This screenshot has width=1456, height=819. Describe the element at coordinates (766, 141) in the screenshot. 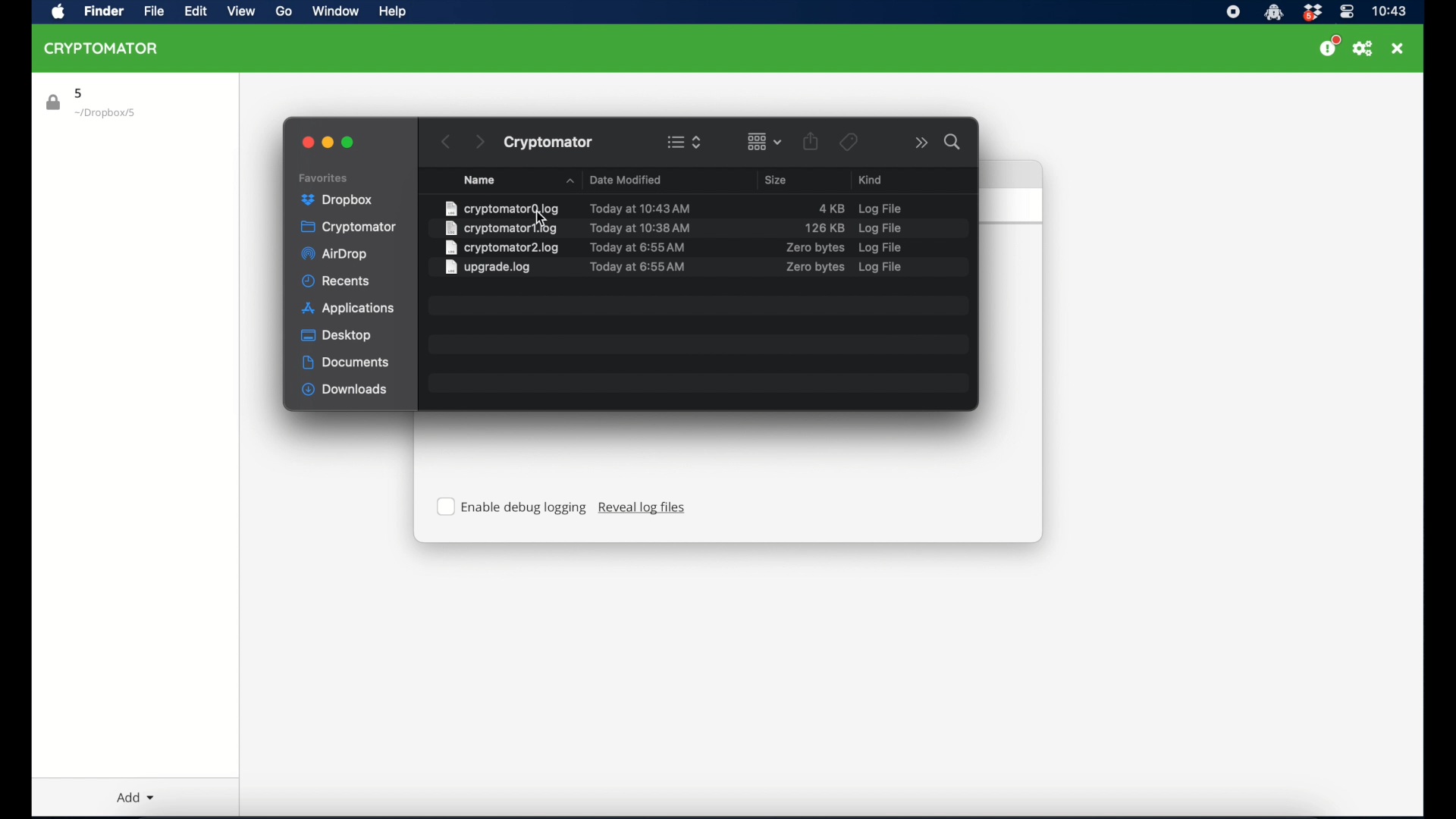

I see `change item grouping` at that location.